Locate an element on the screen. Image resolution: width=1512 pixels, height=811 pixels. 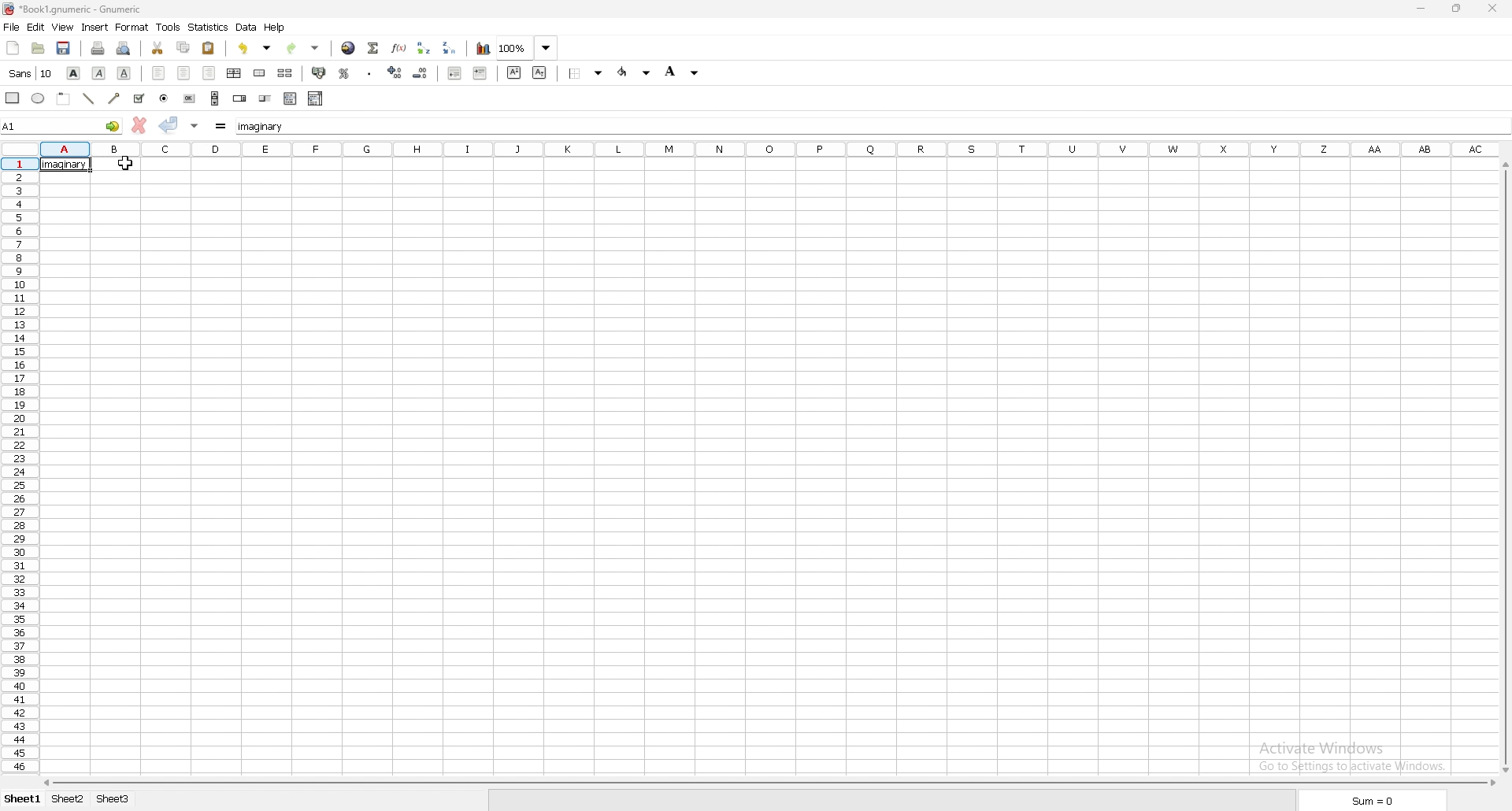
tickbox is located at coordinates (140, 98).